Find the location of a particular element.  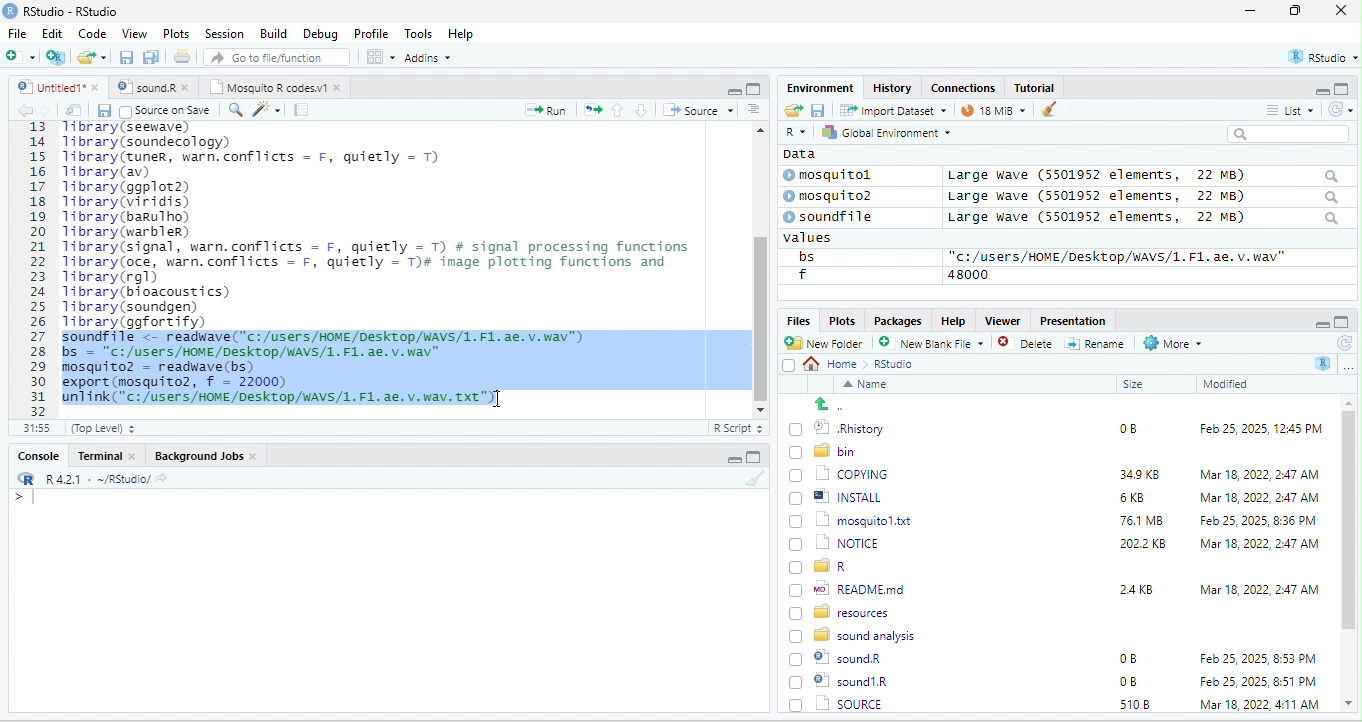

Terminal is located at coordinates (107, 455).